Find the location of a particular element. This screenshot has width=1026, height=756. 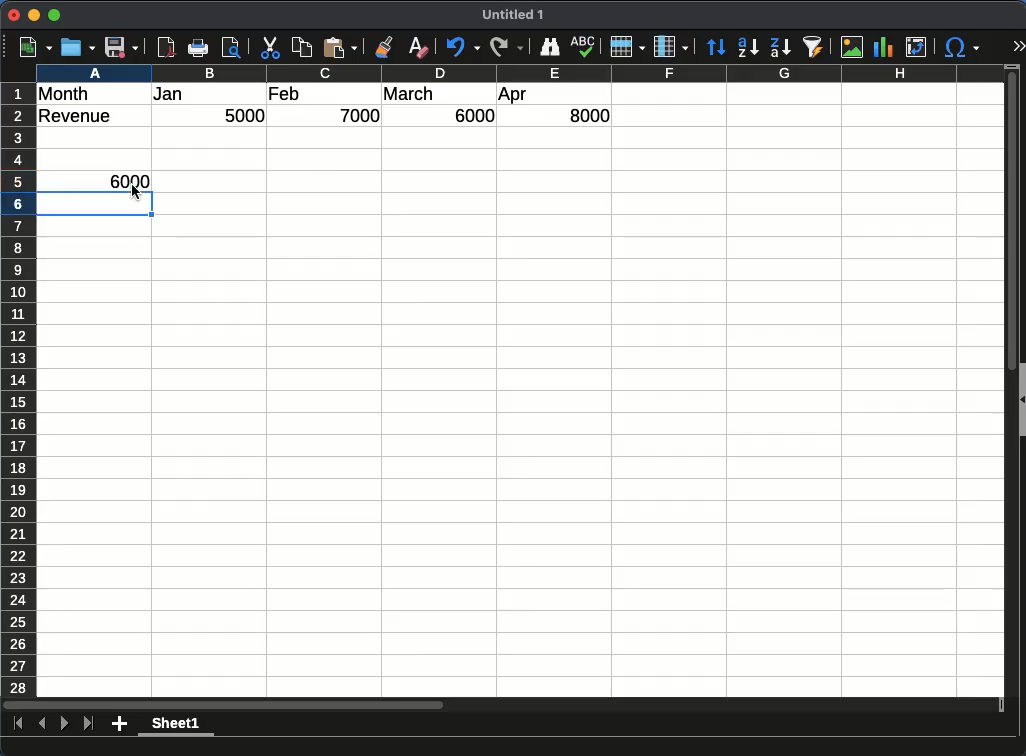

print is located at coordinates (198, 47).